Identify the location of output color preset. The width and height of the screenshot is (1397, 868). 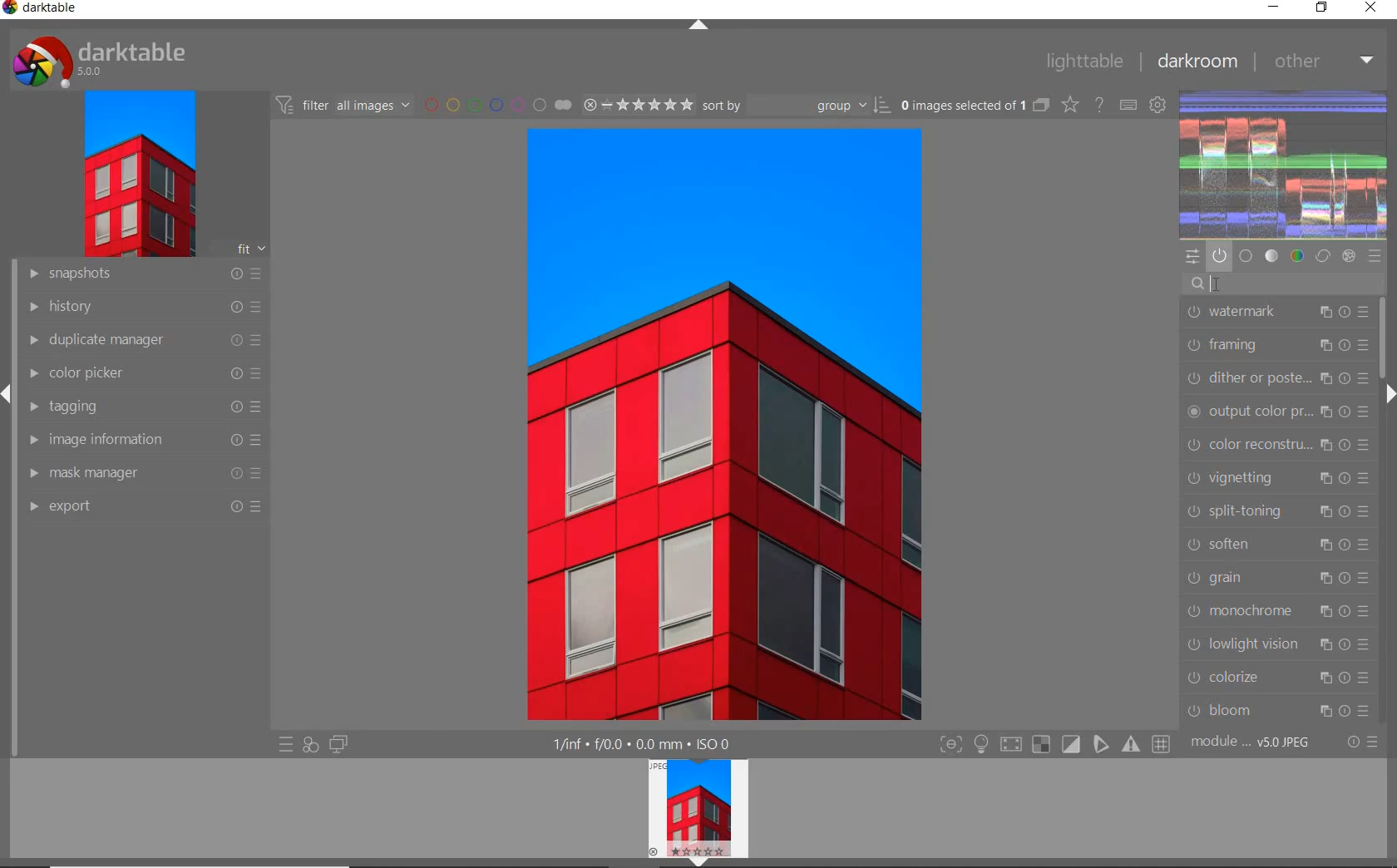
(1279, 411).